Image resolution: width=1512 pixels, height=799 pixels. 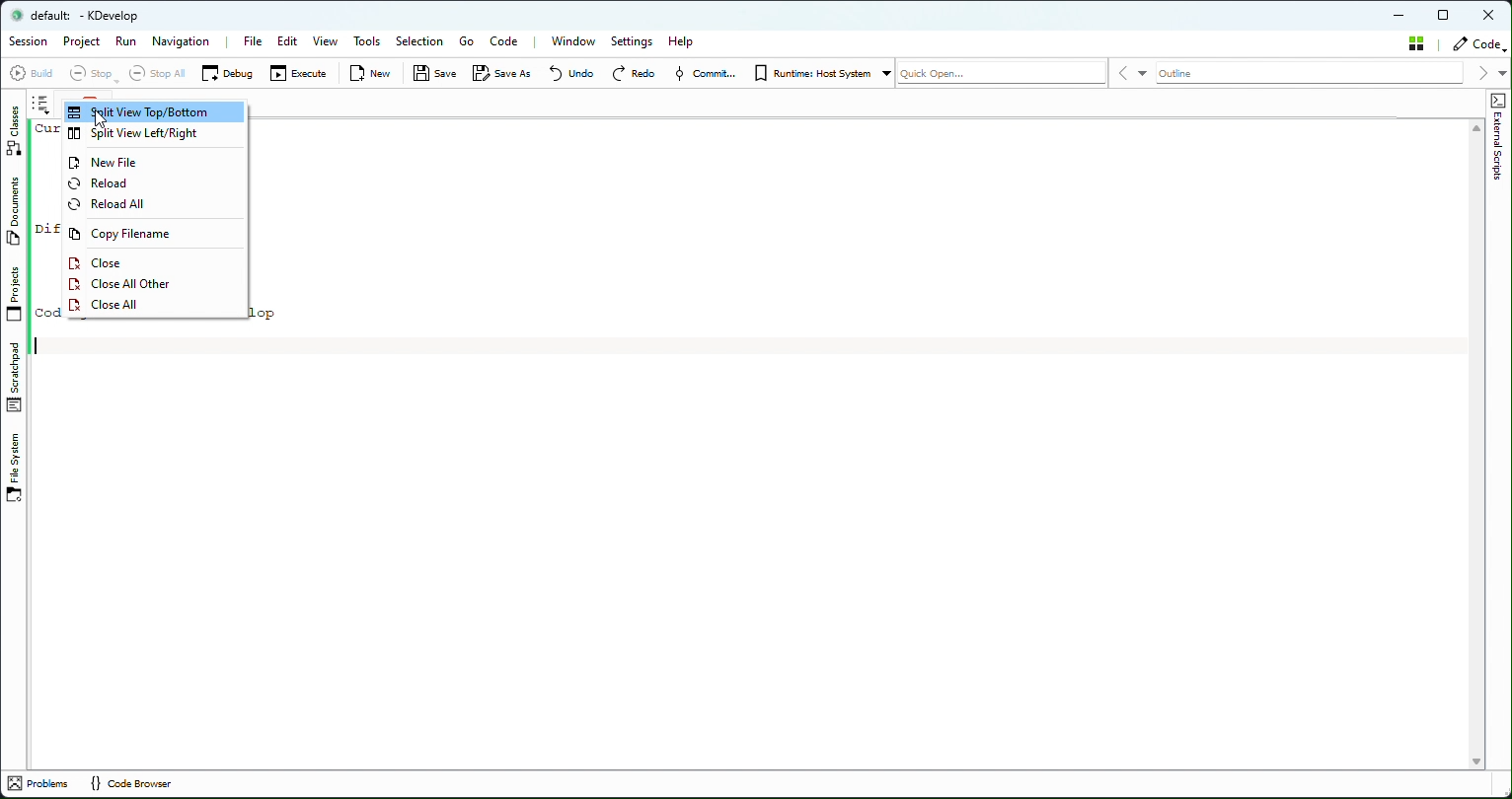 I want to click on Classes, so click(x=12, y=132).